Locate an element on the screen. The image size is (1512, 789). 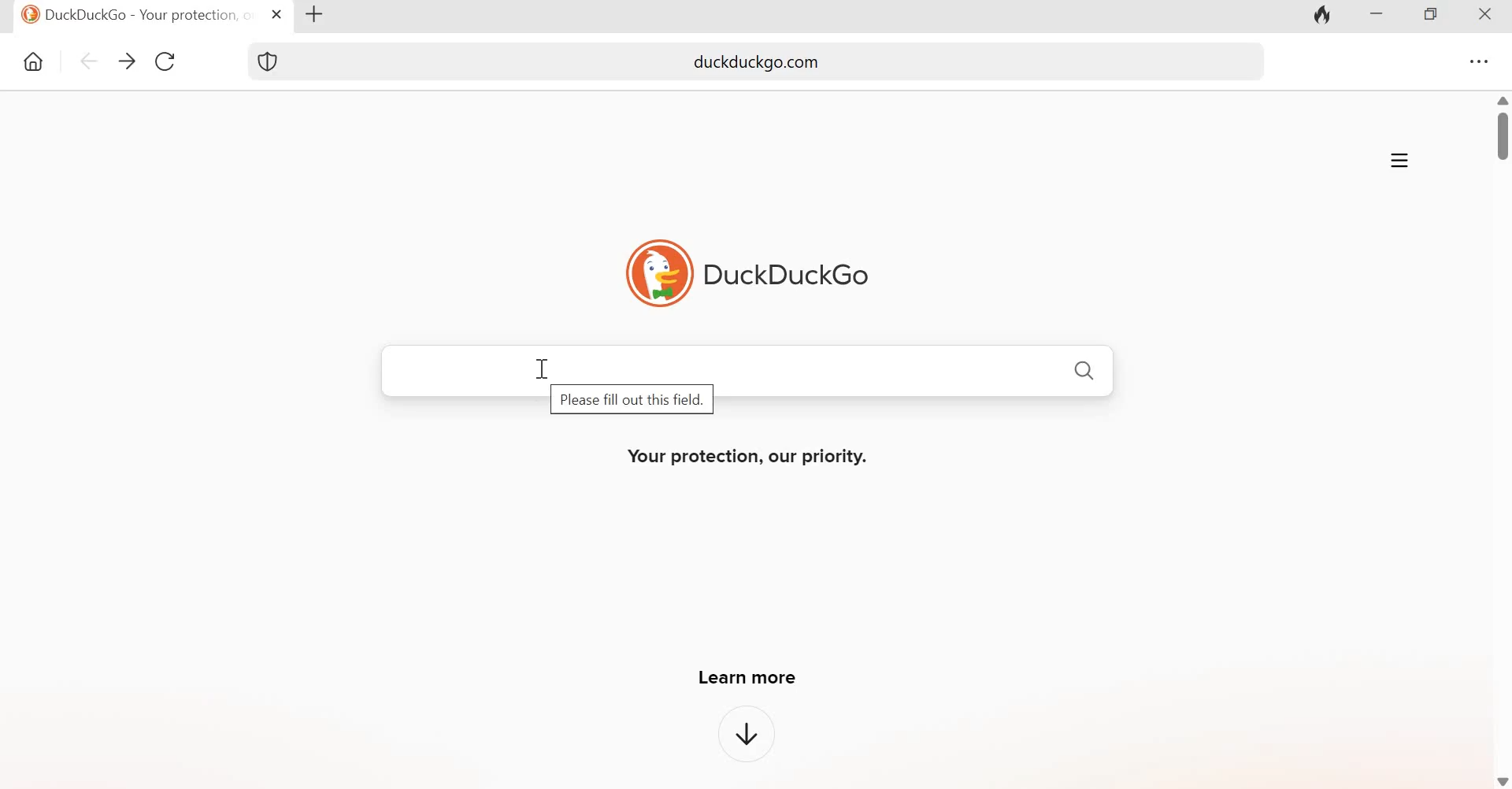
Scrollbar is located at coordinates (1501, 128).